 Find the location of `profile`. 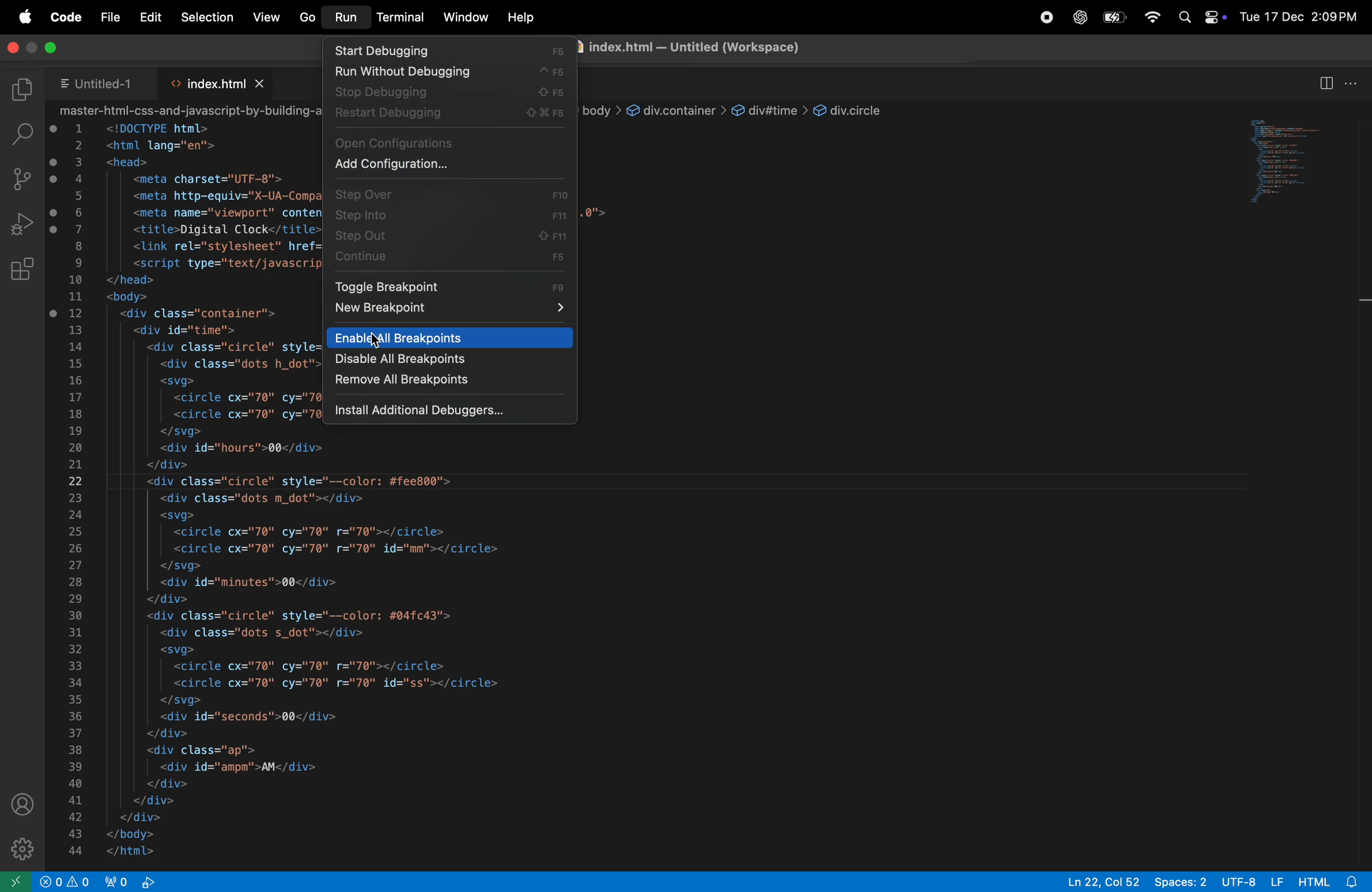

profile is located at coordinates (24, 805).